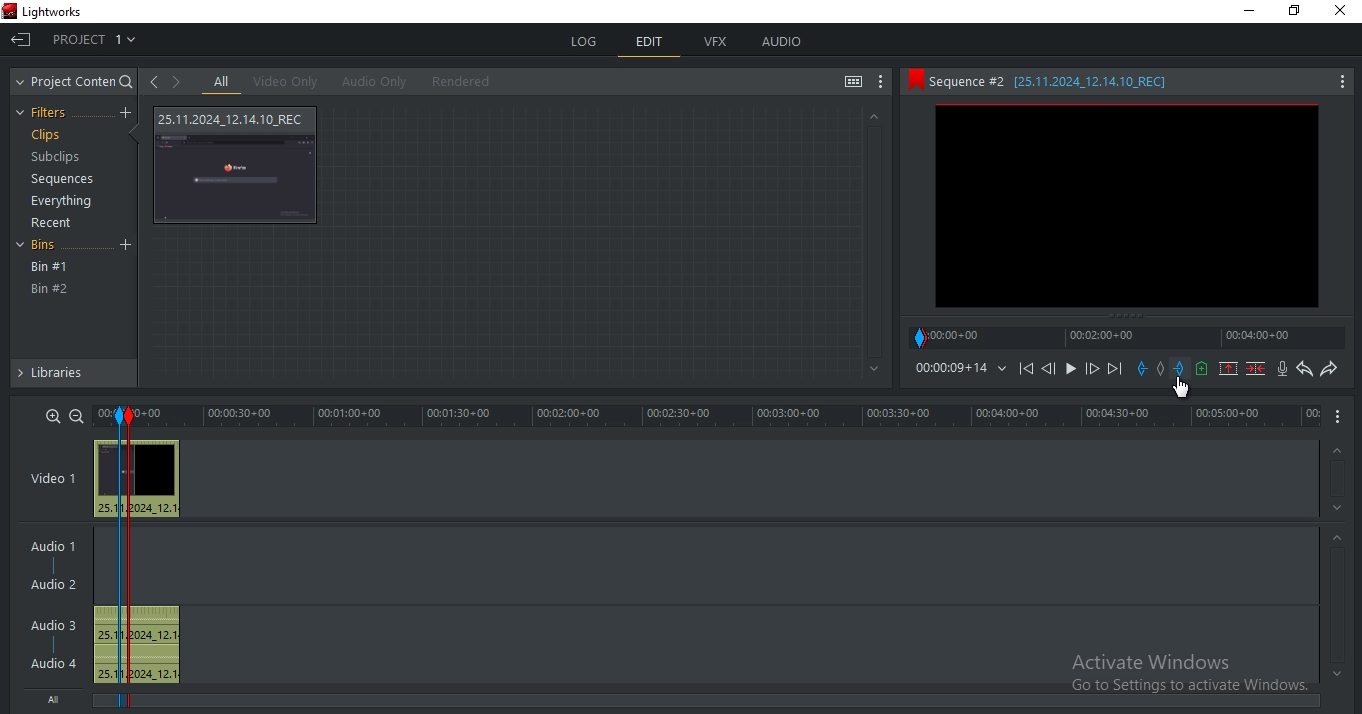 This screenshot has width=1362, height=714. Describe the element at coordinates (285, 82) in the screenshot. I see `video only` at that location.